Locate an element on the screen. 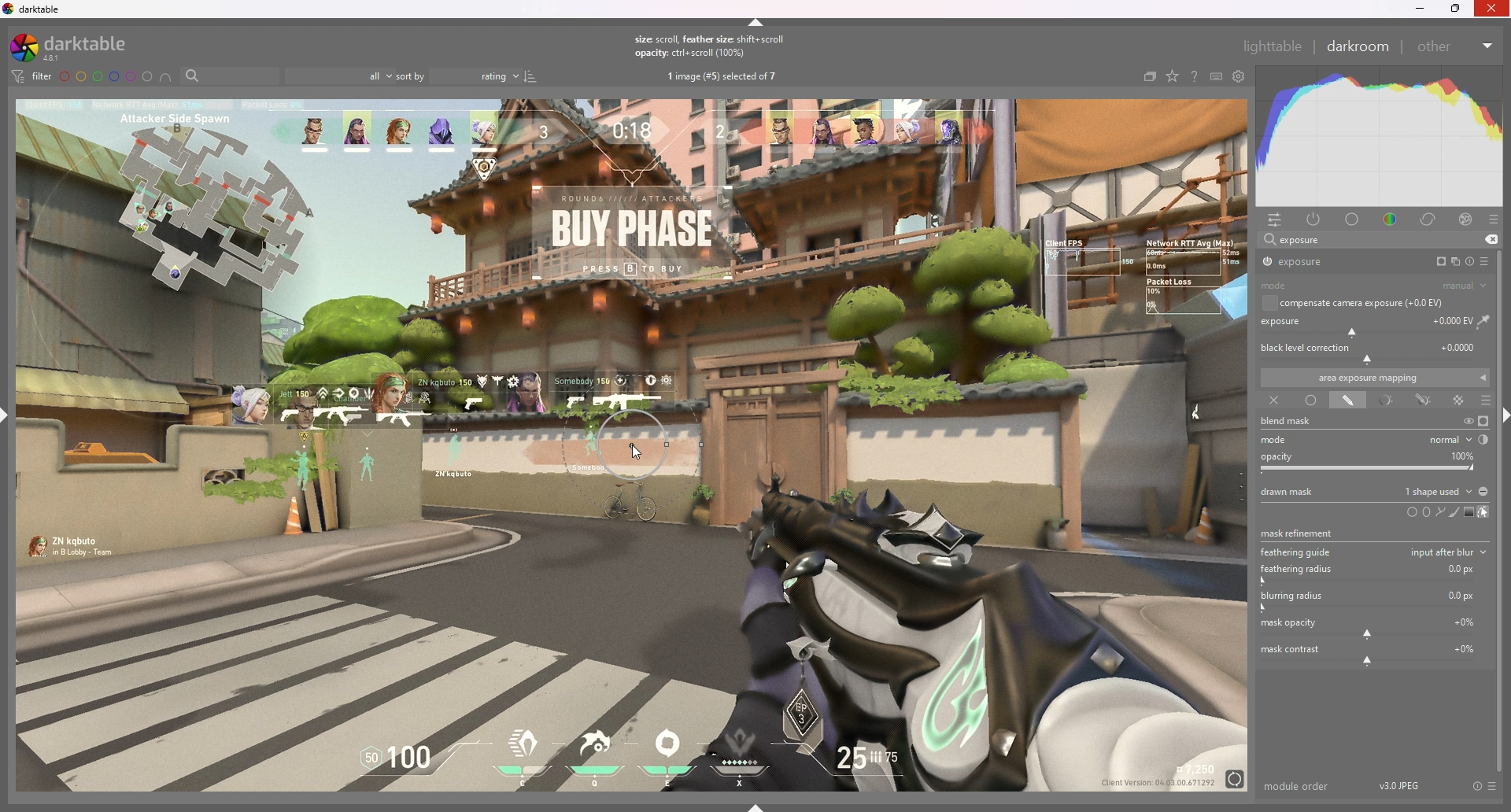 The height and width of the screenshot is (812, 1511). darktable is located at coordinates (79, 47).